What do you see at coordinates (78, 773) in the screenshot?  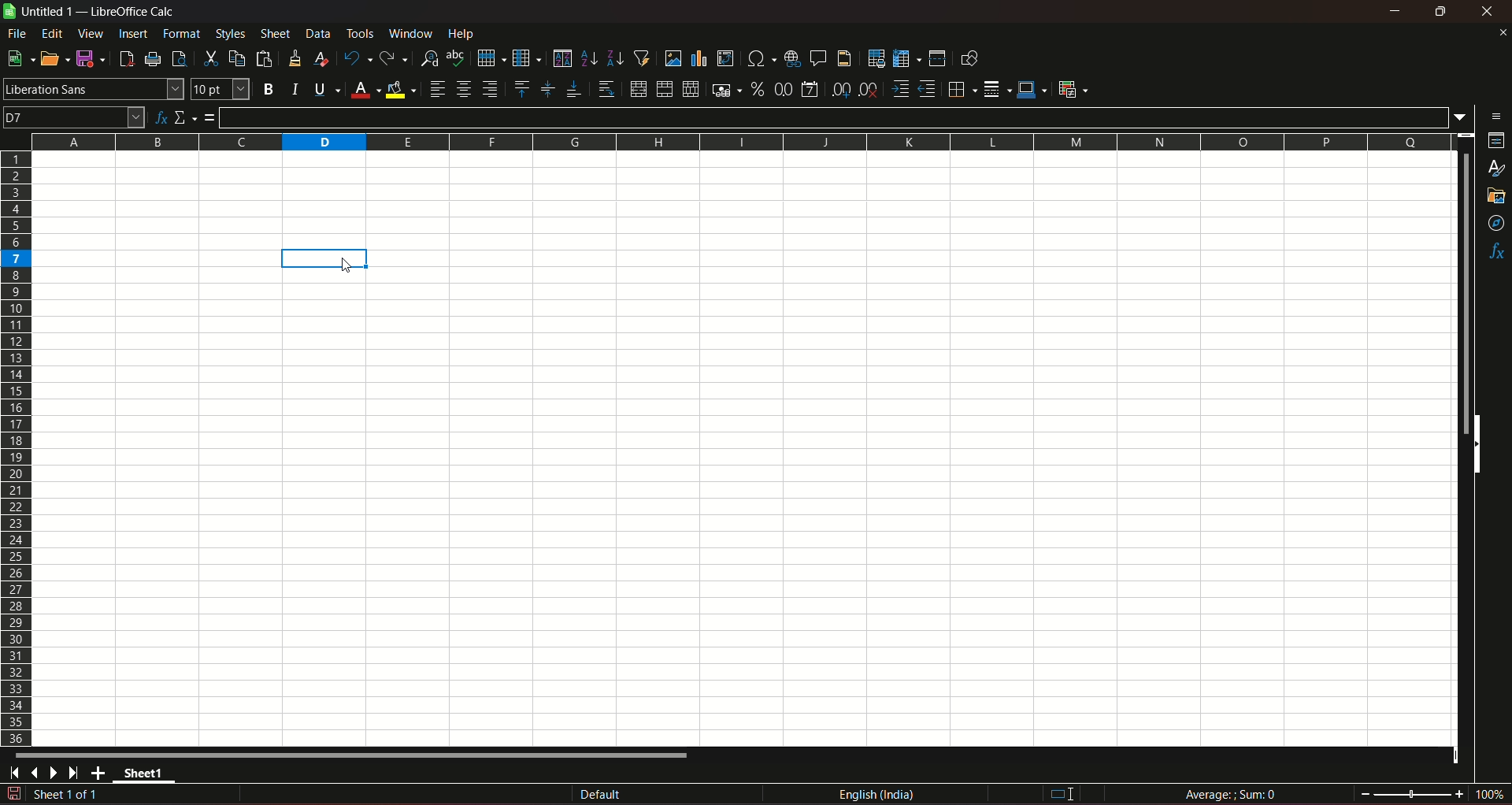 I see `scroll to last` at bounding box center [78, 773].